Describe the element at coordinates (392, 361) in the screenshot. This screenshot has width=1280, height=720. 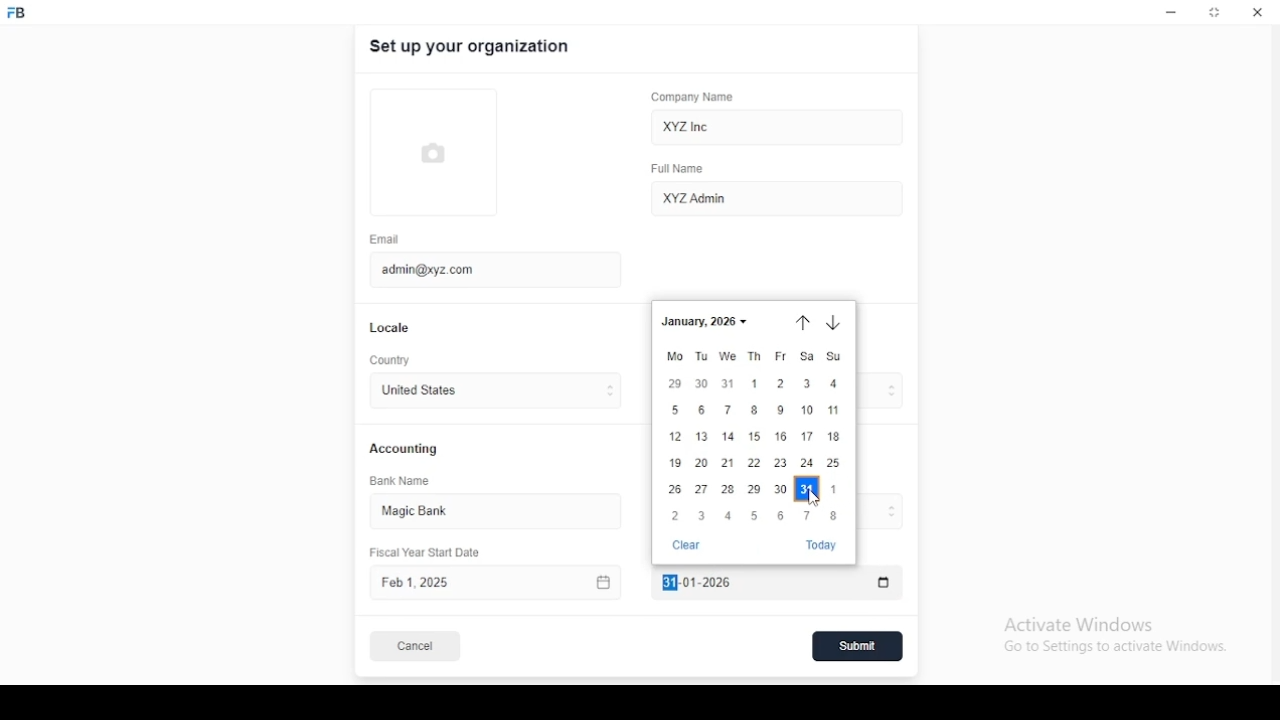
I see `country` at that location.